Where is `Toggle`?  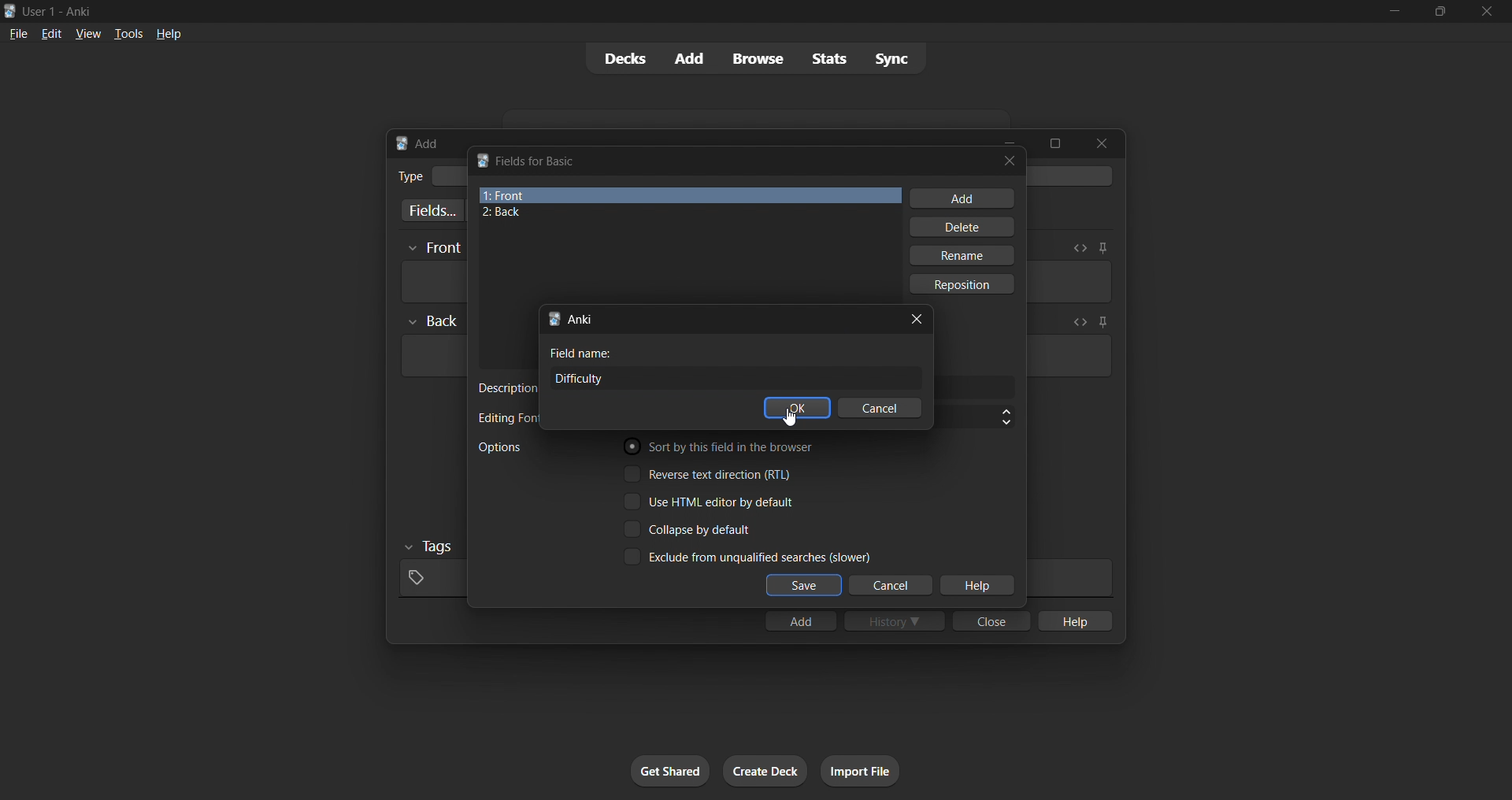 Toggle is located at coordinates (724, 446).